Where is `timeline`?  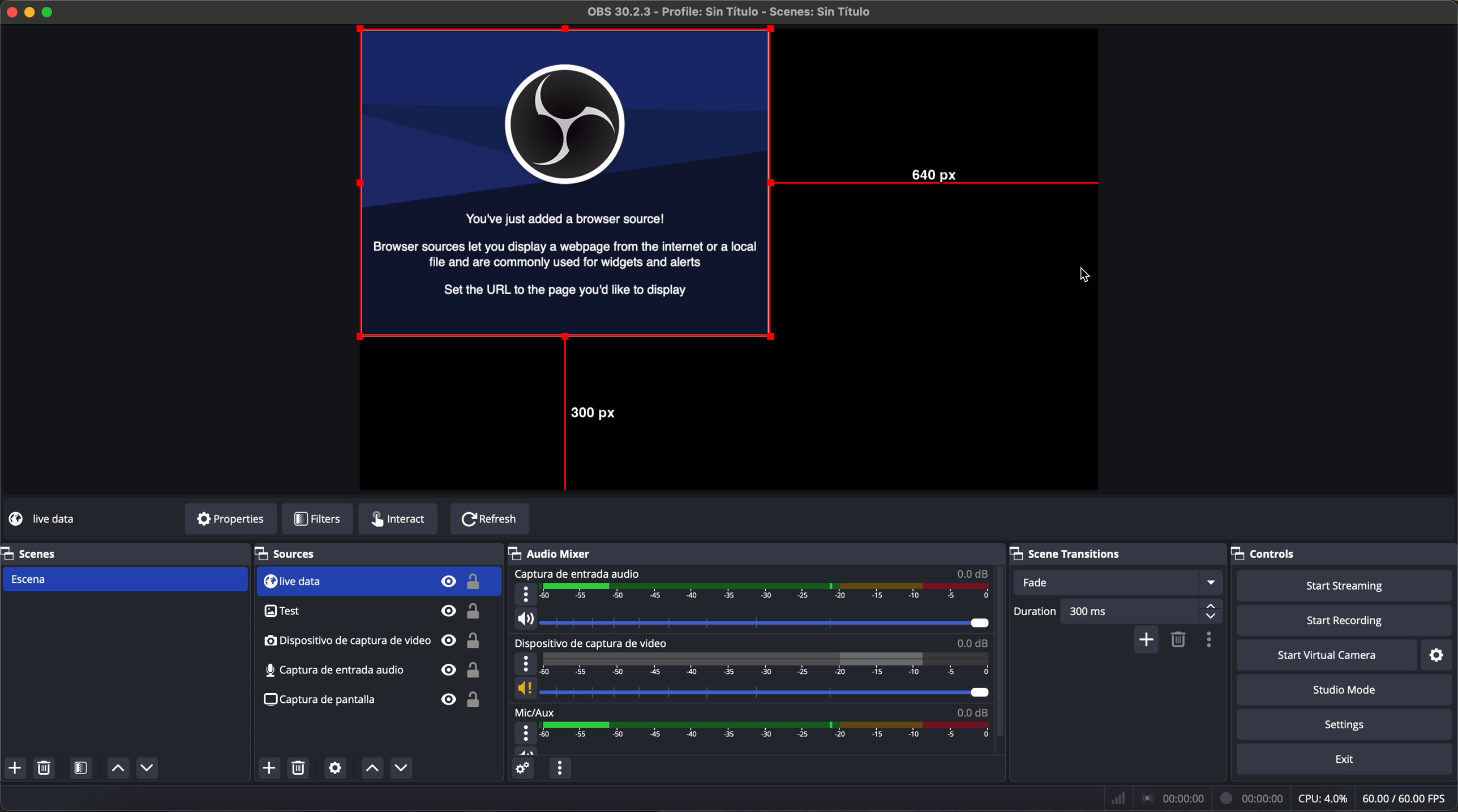
timeline is located at coordinates (767, 595).